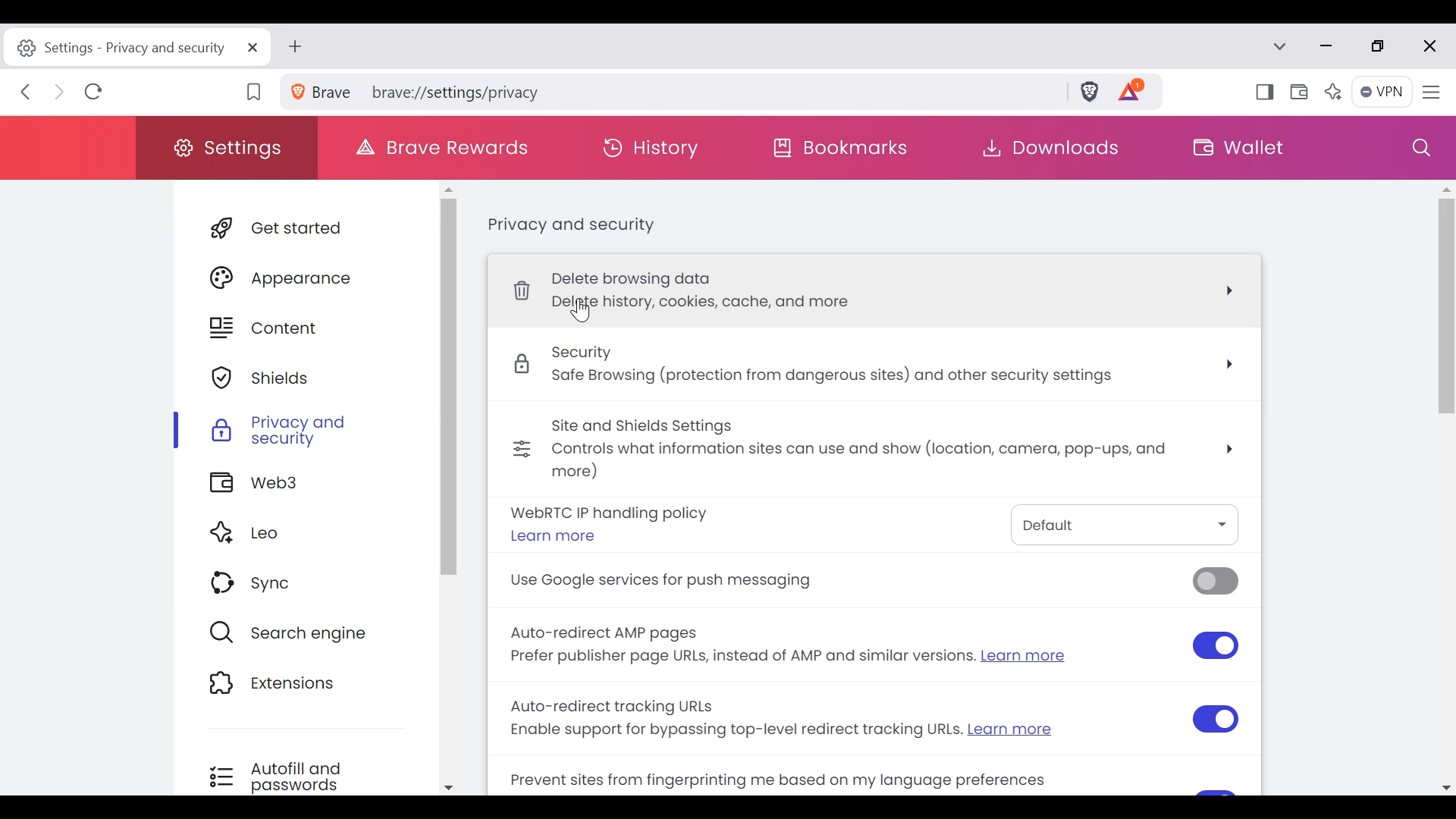 This screenshot has height=819, width=1456. Describe the element at coordinates (871, 720) in the screenshot. I see `Auto-redirect tracking URLs
Enable support for bypassing top-level redirect tracking URLs. Learn more` at that location.